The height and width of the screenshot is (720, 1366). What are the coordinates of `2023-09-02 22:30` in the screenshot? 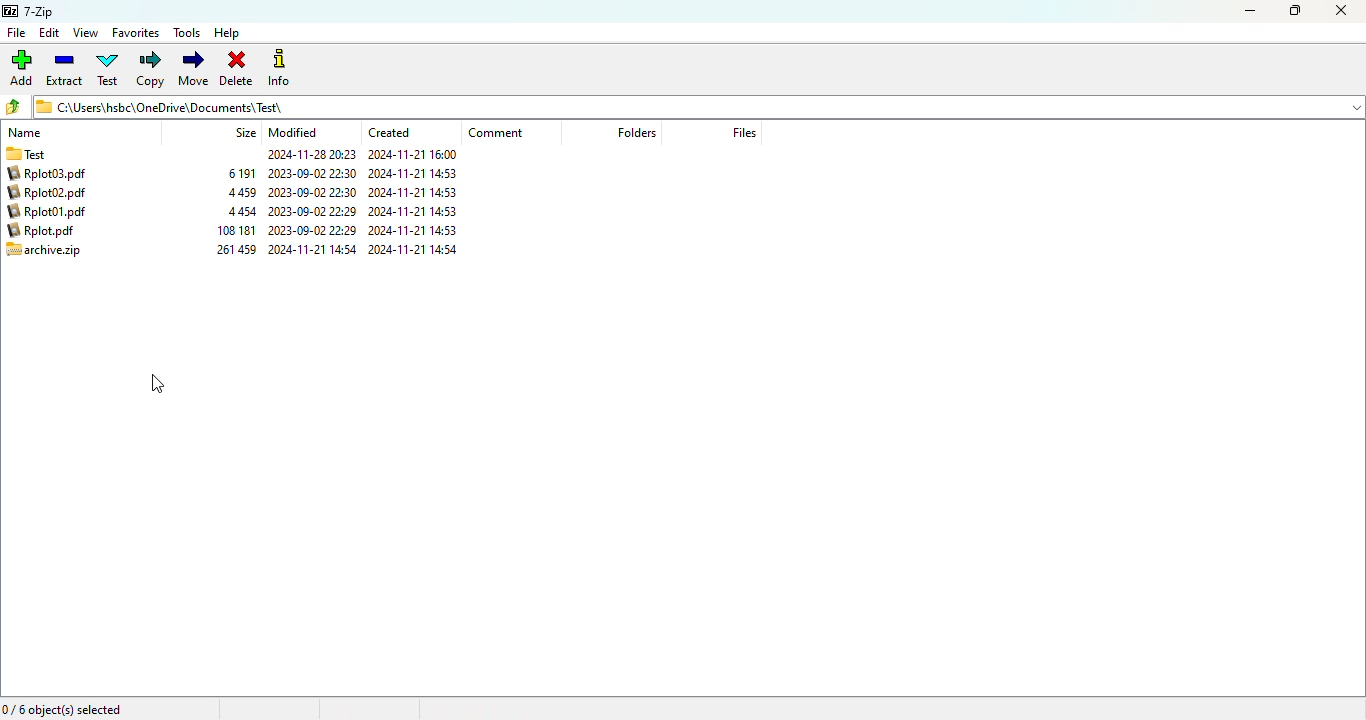 It's located at (313, 211).